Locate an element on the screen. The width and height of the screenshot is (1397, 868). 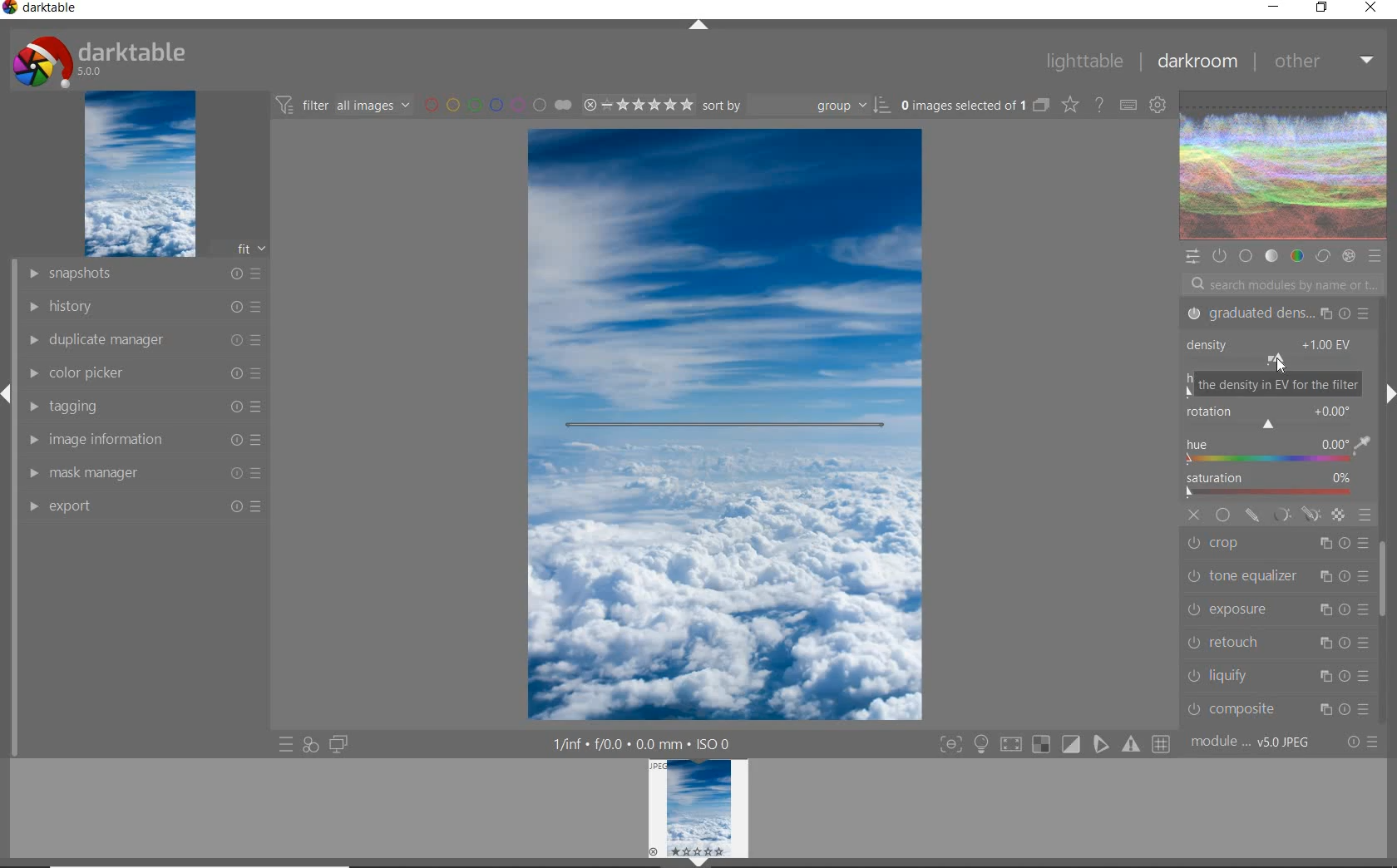
IMAGE PREVIEW is located at coordinates (698, 807).